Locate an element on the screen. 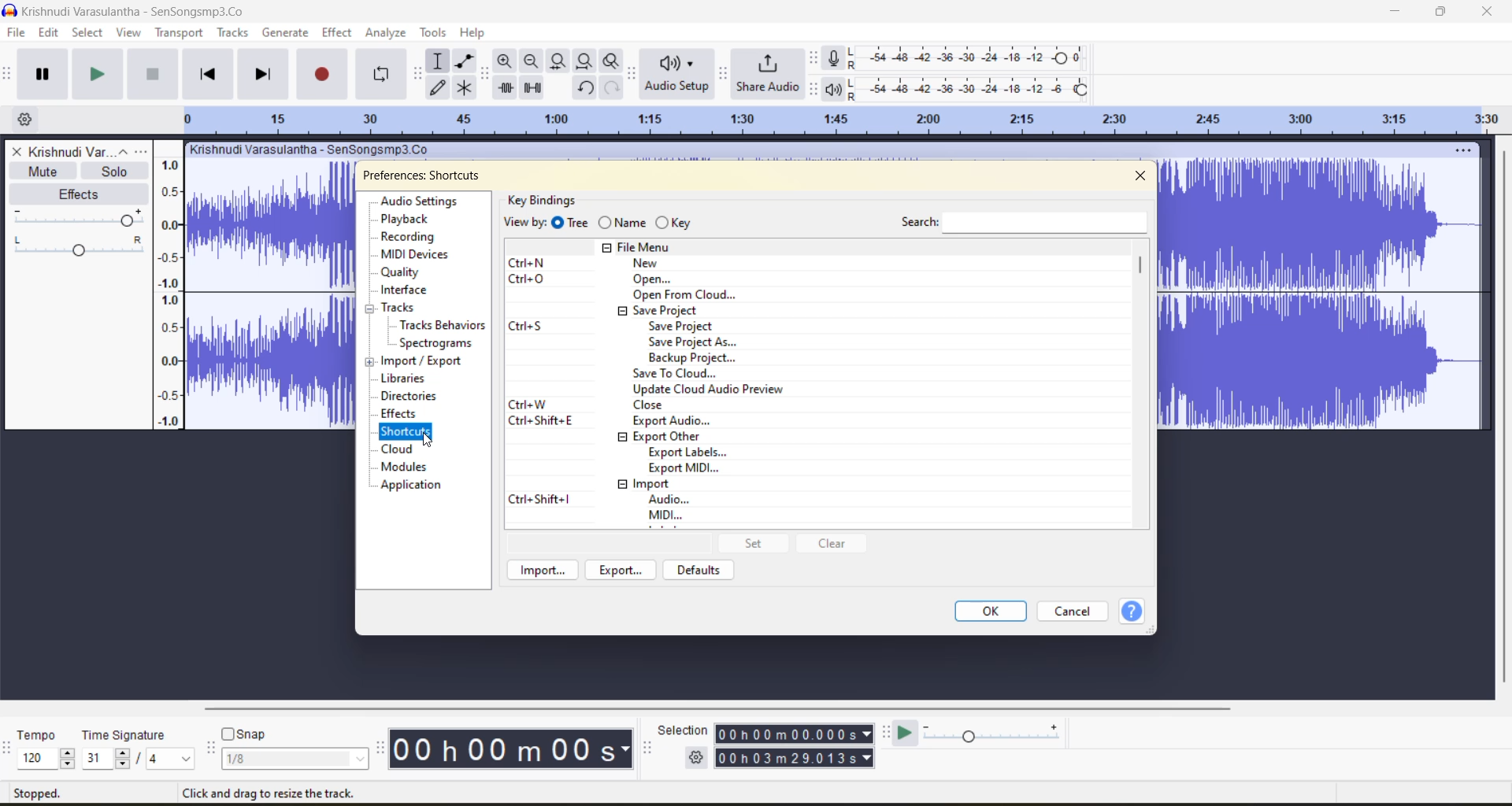 This screenshot has height=806, width=1512. stopped is located at coordinates (41, 793).